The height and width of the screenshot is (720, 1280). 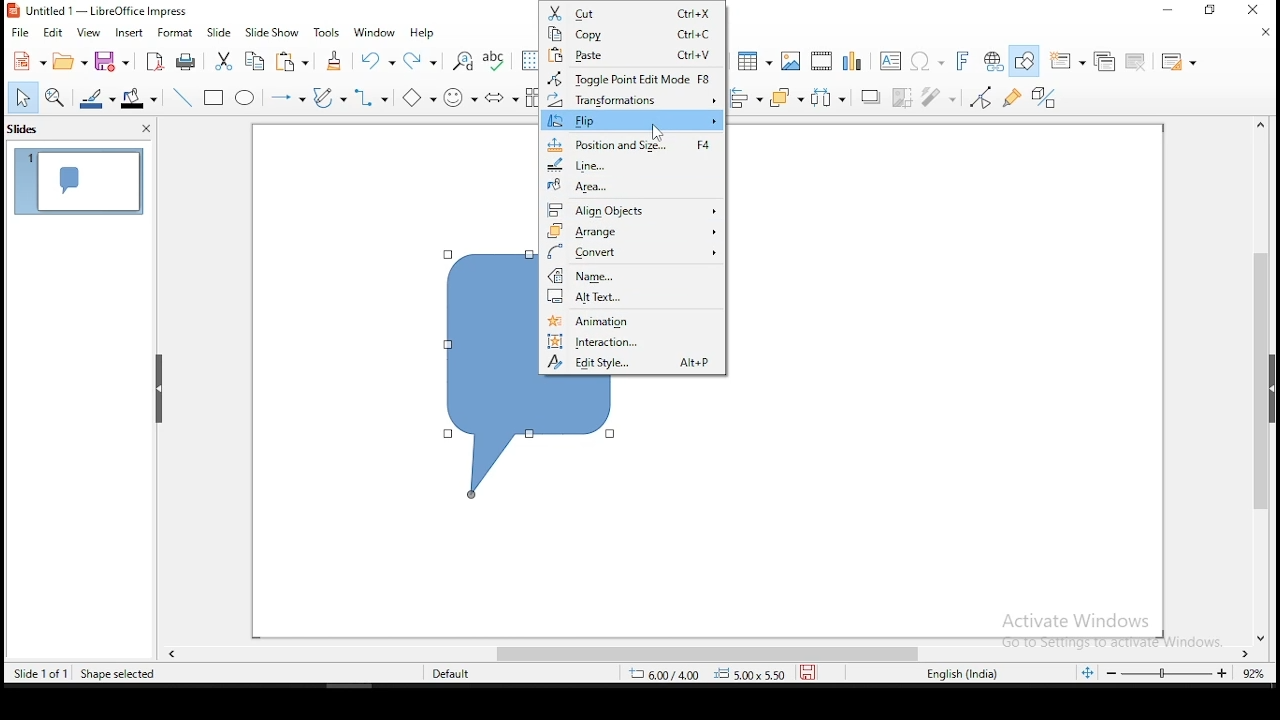 What do you see at coordinates (338, 61) in the screenshot?
I see `clone formatting` at bounding box center [338, 61].